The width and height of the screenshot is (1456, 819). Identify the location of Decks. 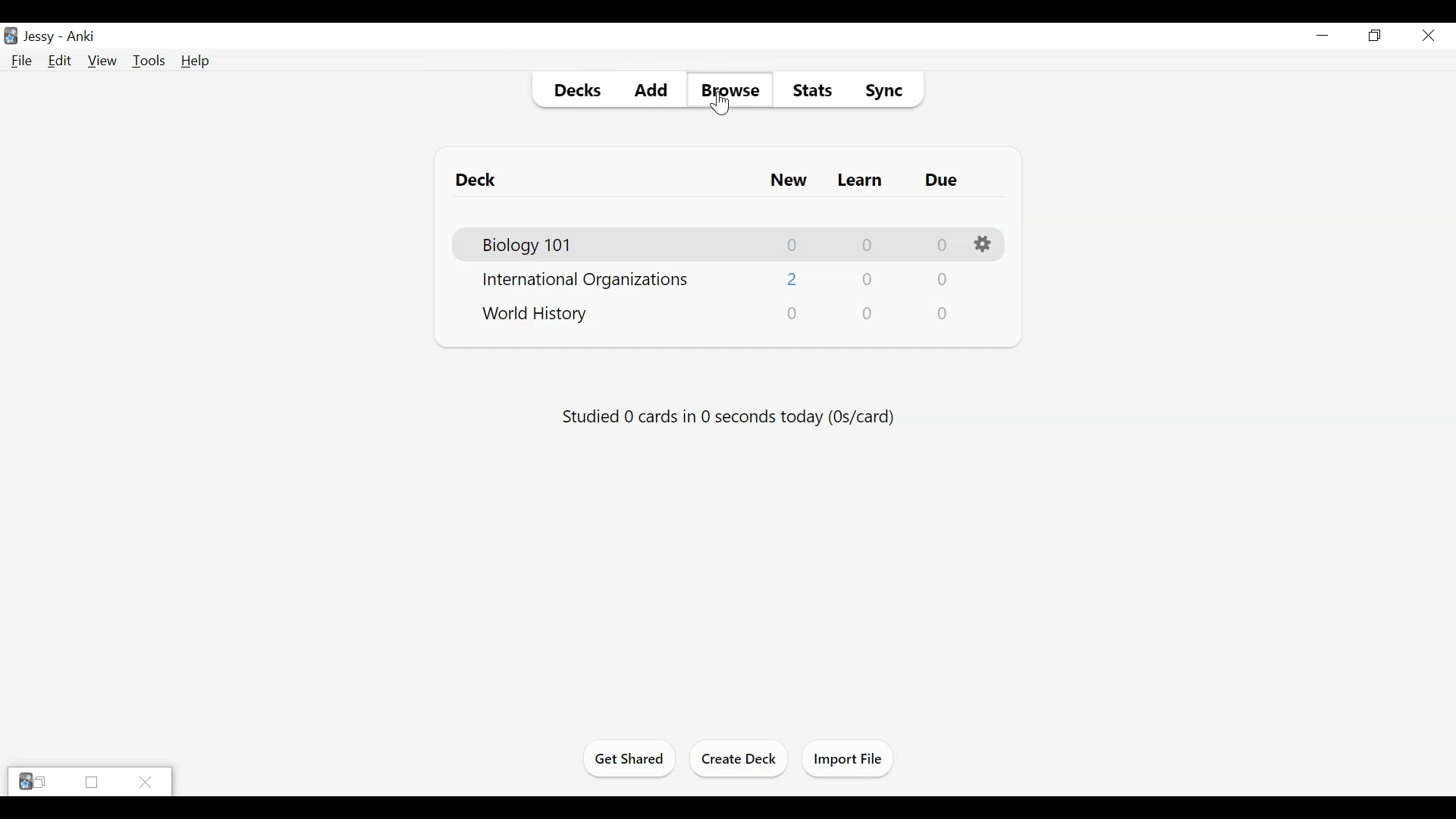
(575, 91).